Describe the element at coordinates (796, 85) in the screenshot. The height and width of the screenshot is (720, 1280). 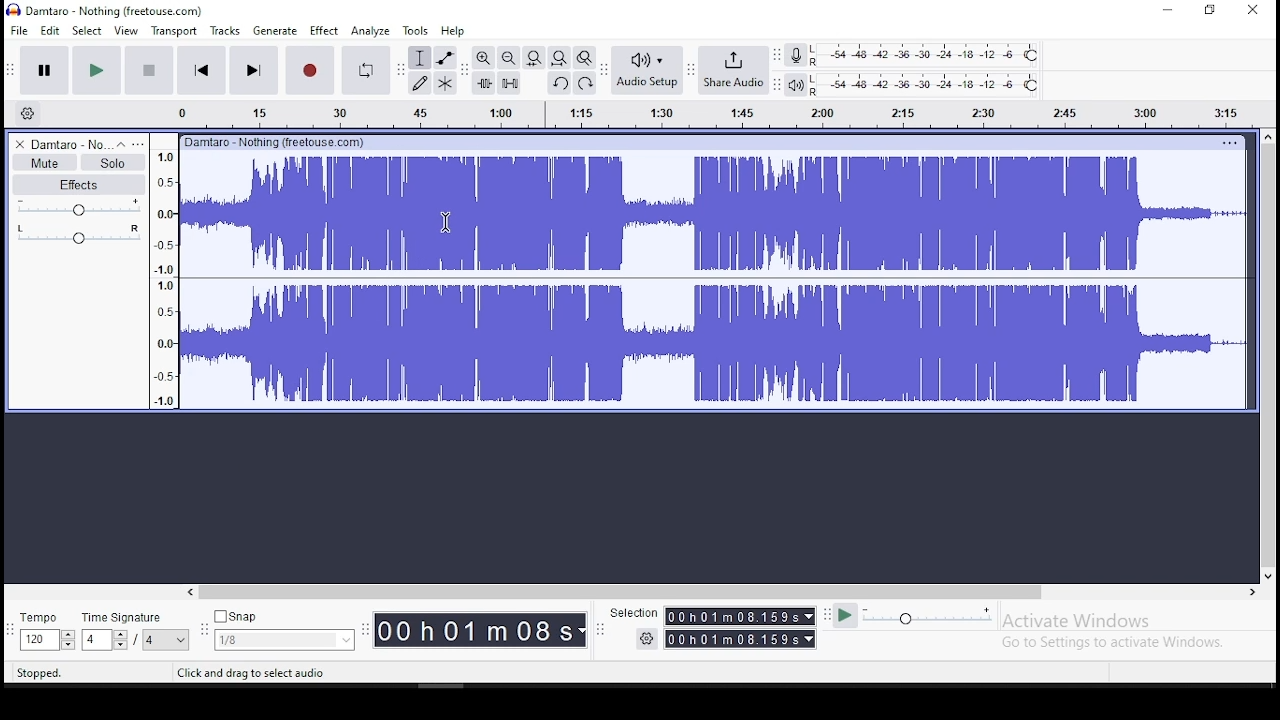
I see `playback meter` at that location.